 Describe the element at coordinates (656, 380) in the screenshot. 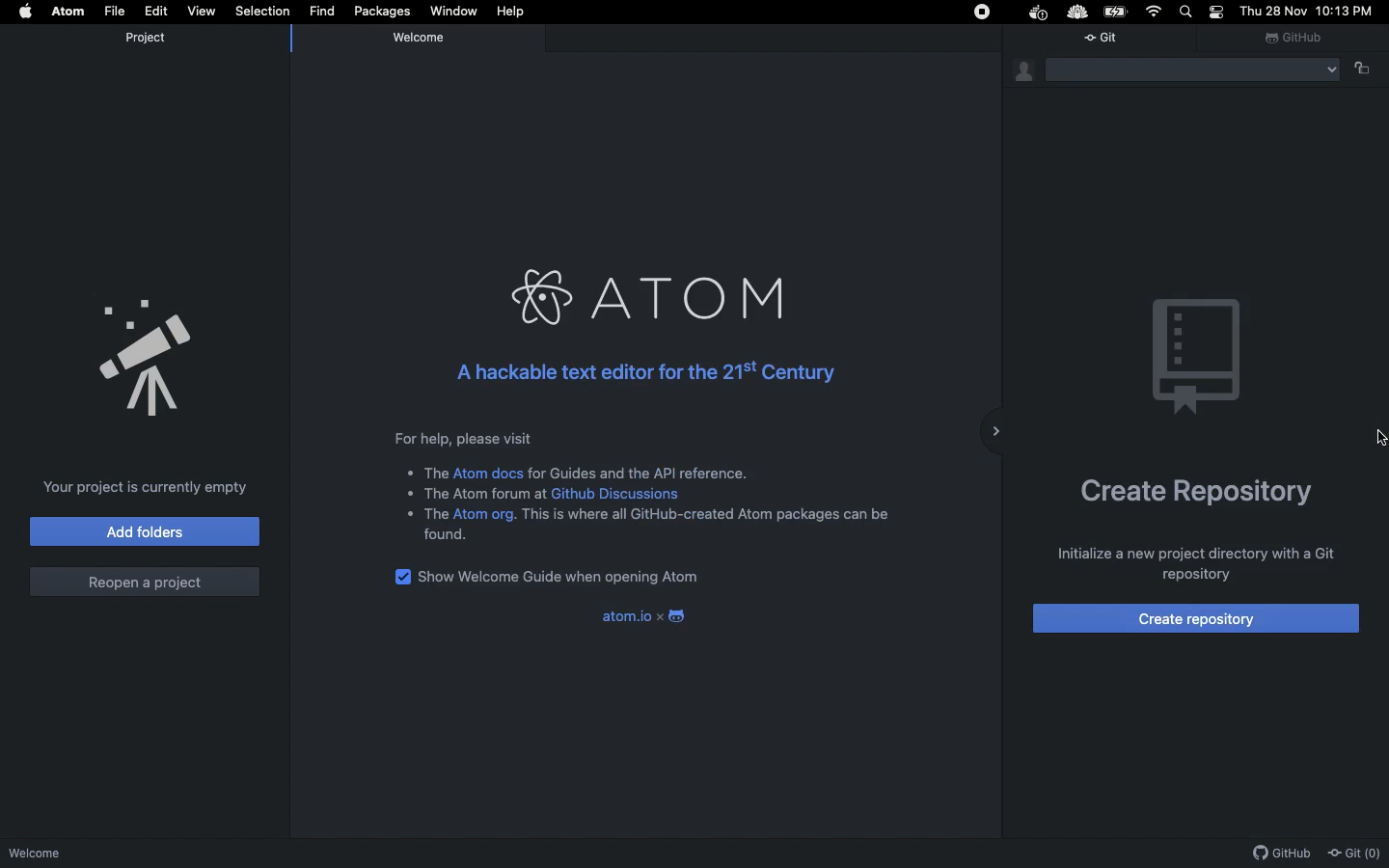

I see `A hackable text editor for the 21st Century` at that location.